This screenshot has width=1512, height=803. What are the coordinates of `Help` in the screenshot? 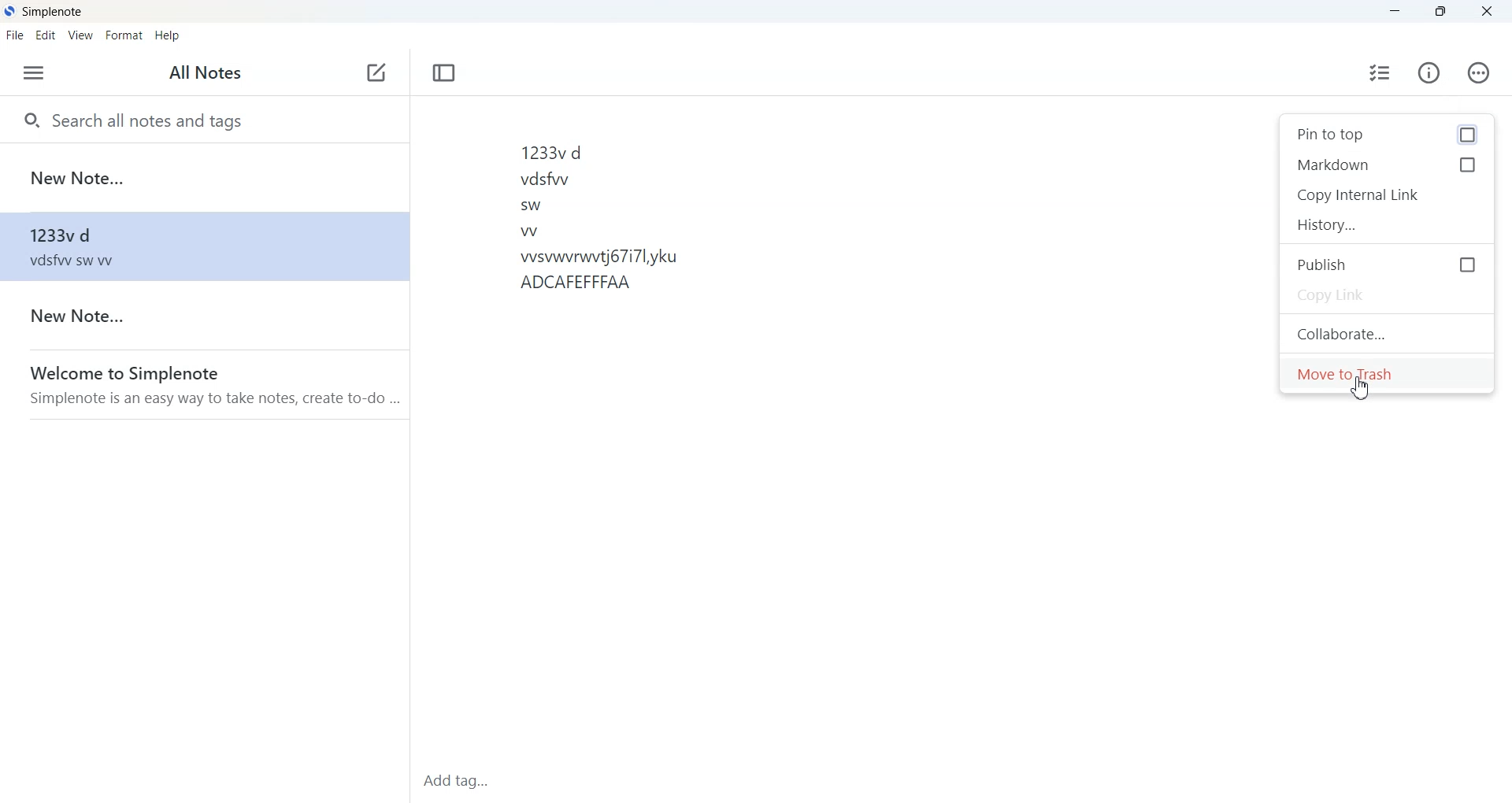 It's located at (169, 36).